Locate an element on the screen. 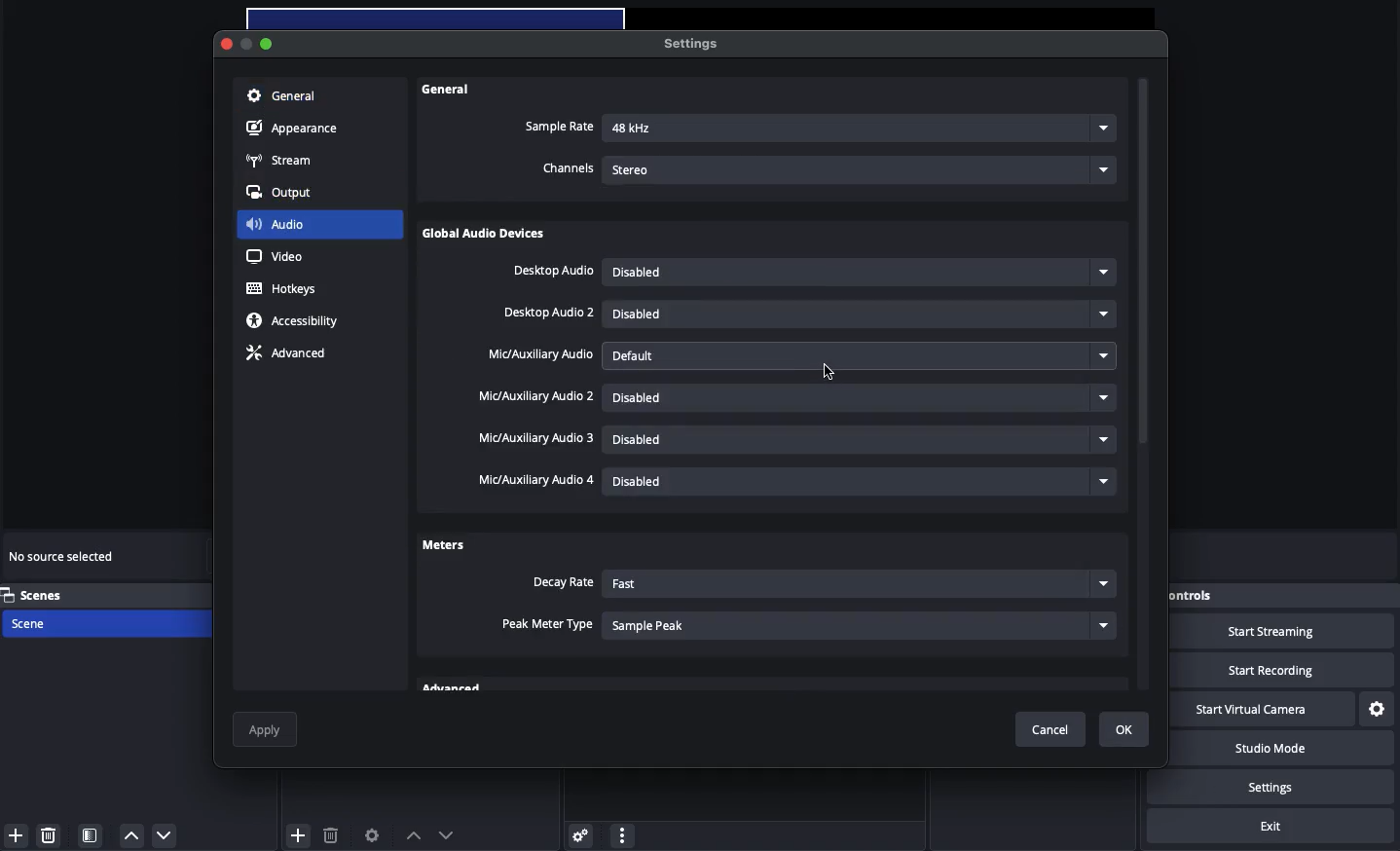 This screenshot has height=851, width=1400. Output is located at coordinates (285, 193).